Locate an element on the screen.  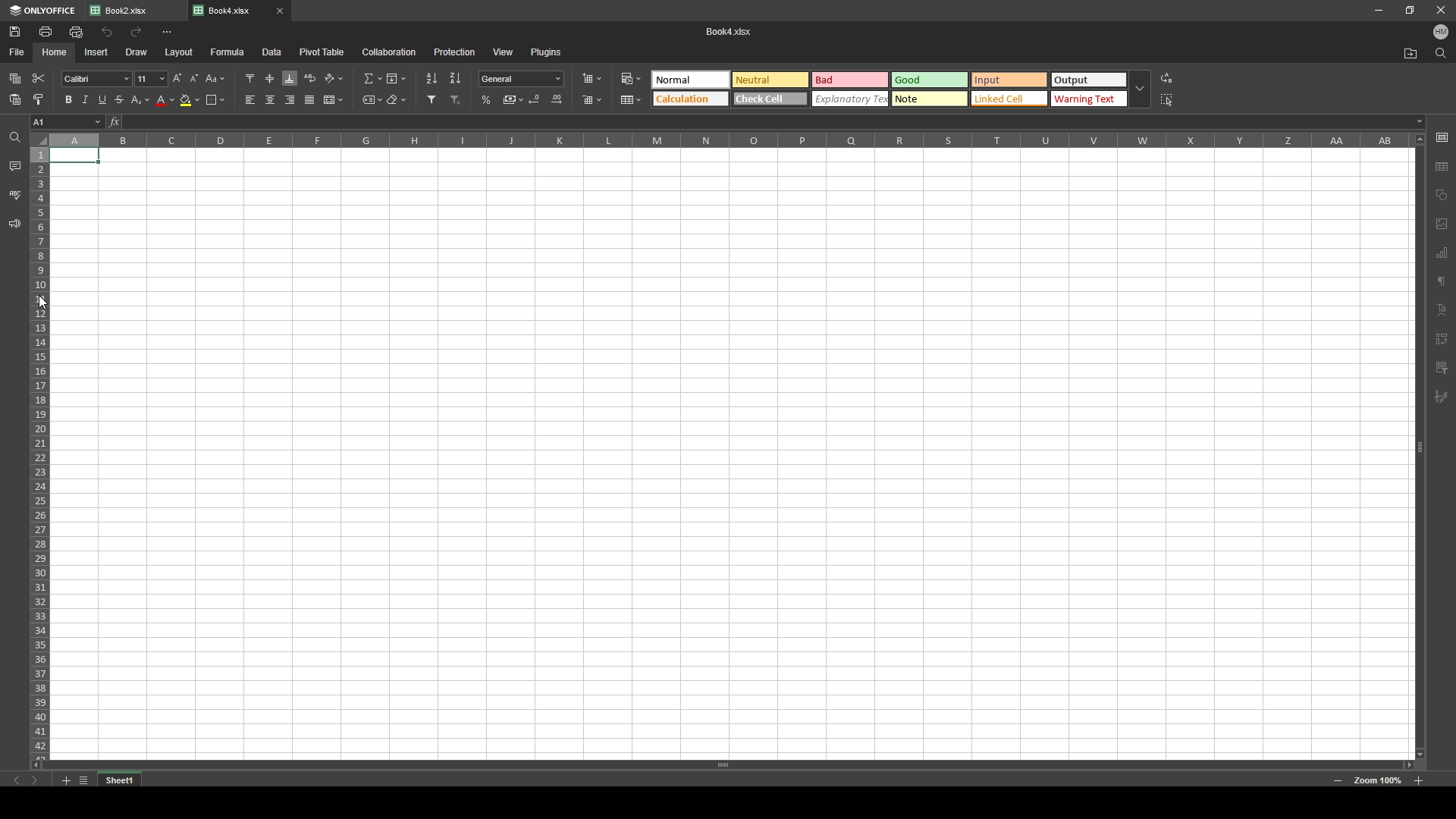
Bad is located at coordinates (852, 80).